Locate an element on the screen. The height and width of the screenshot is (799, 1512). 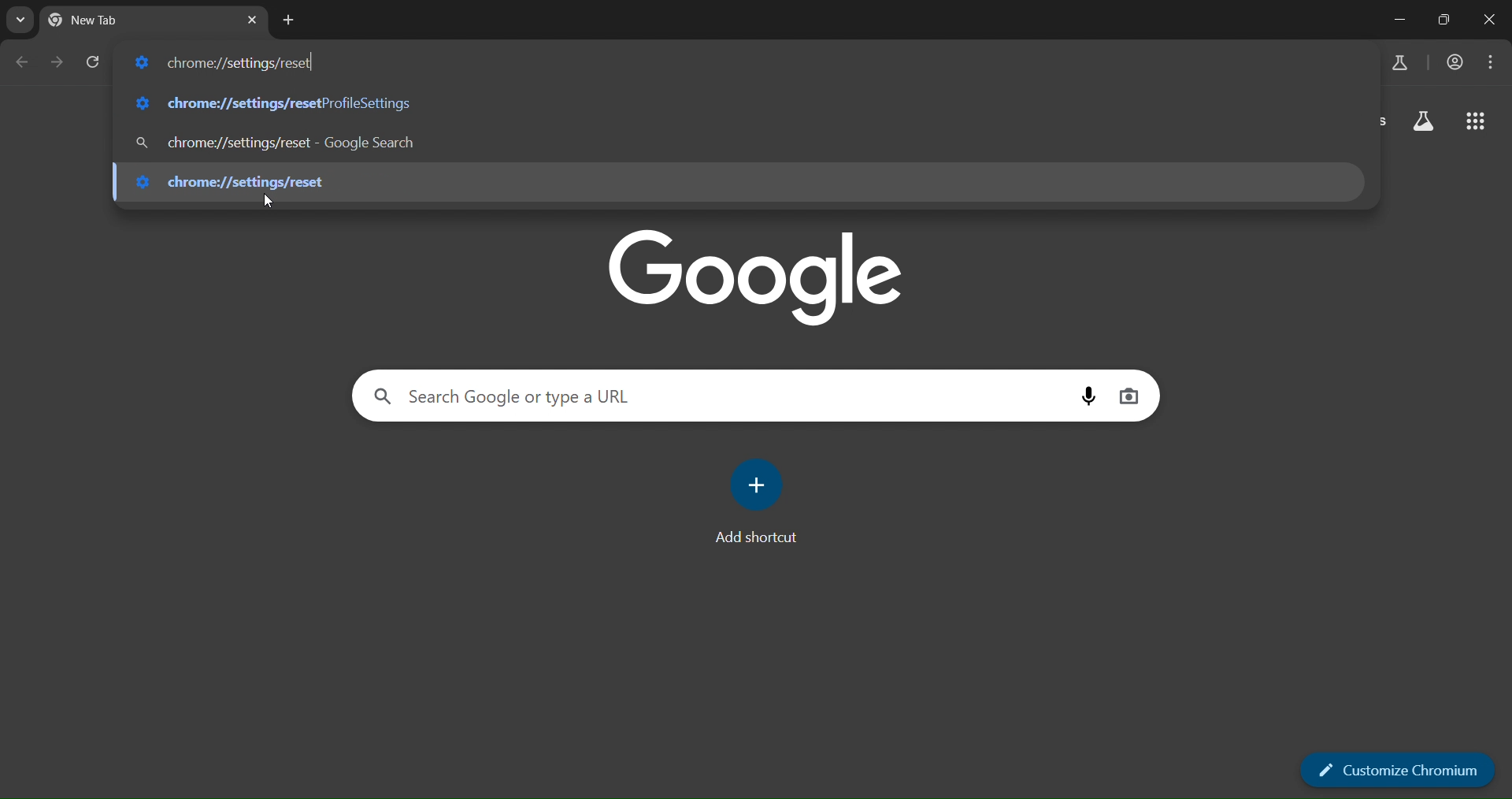
add shortcut is located at coordinates (762, 500).